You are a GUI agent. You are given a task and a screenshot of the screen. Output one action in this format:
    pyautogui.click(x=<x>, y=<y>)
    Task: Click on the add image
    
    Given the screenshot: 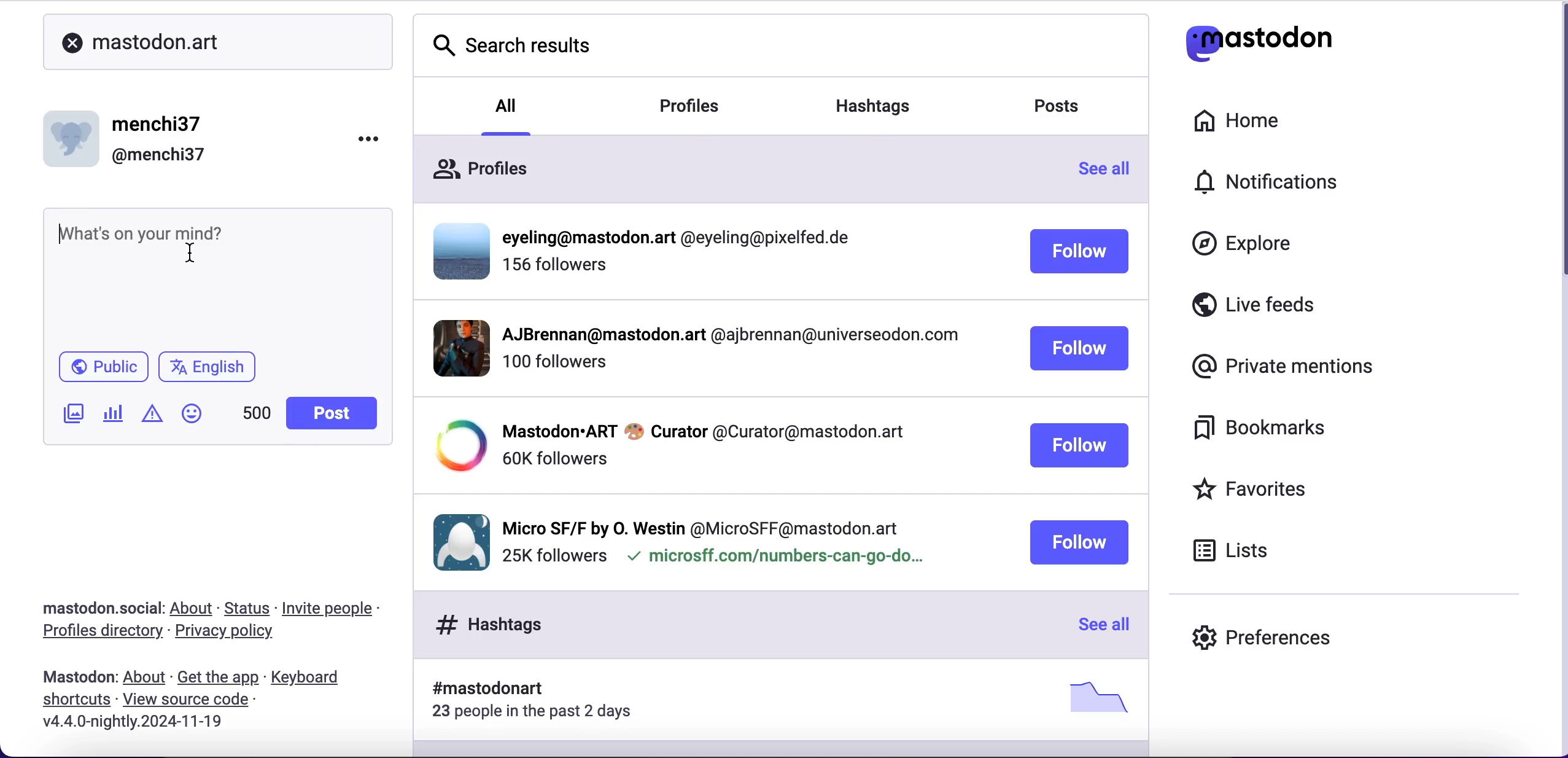 What is the action you would take?
    pyautogui.click(x=75, y=417)
    